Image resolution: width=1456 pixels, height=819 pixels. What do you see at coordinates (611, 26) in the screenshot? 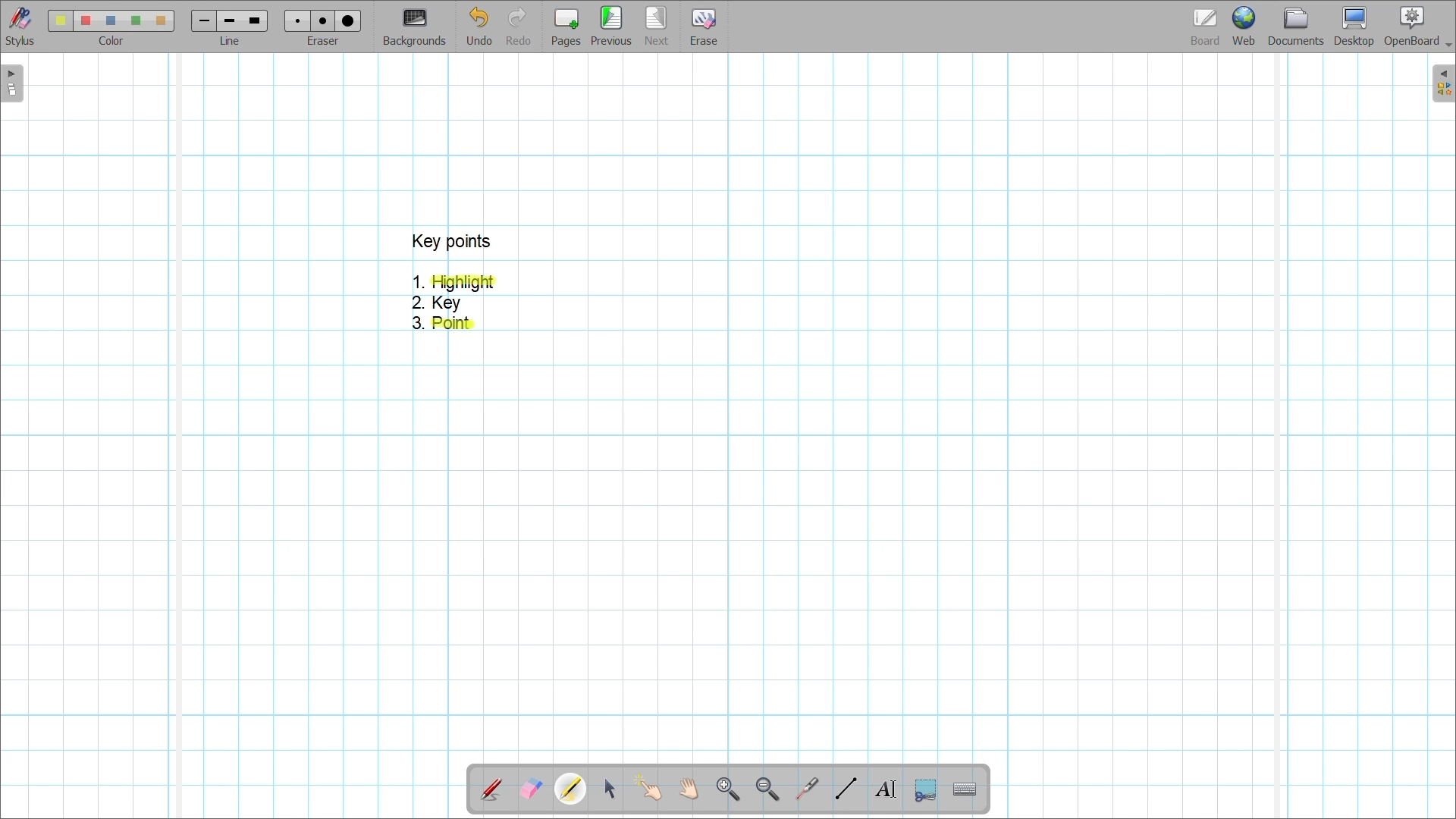
I see `Go to previous page` at bounding box center [611, 26].